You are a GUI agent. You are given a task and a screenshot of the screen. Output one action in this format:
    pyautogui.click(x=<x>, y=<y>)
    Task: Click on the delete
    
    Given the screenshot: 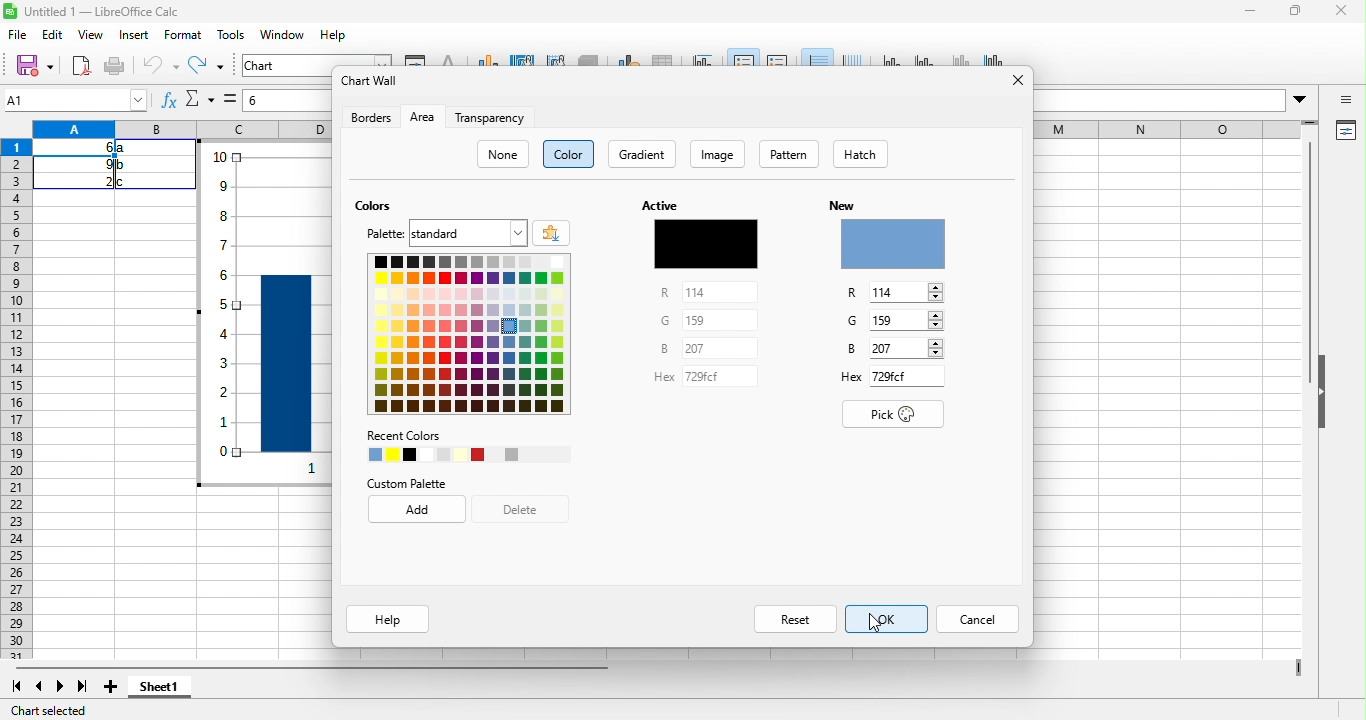 What is the action you would take?
    pyautogui.click(x=523, y=512)
    